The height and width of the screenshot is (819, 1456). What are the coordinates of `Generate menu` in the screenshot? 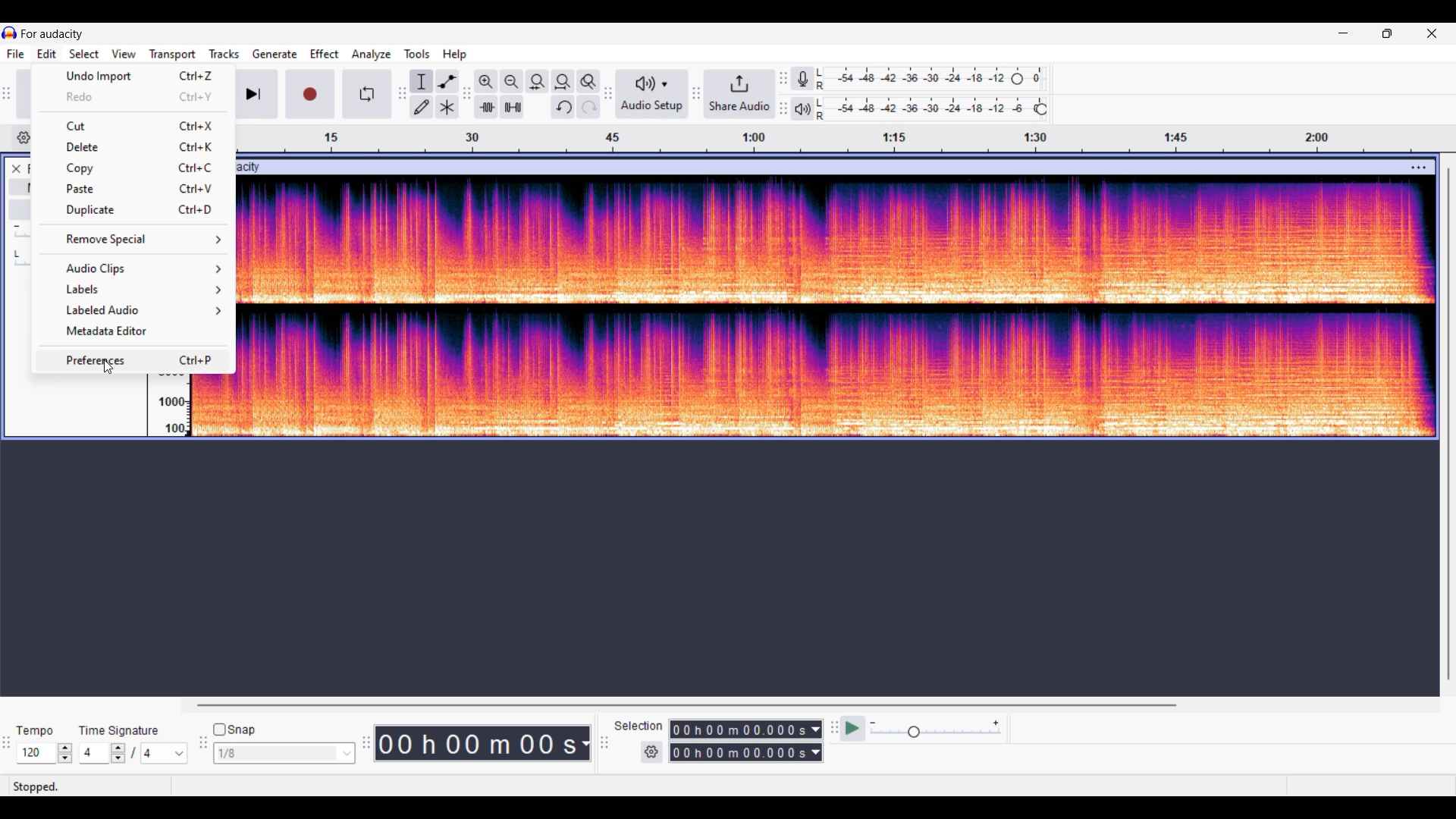 It's located at (275, 54).